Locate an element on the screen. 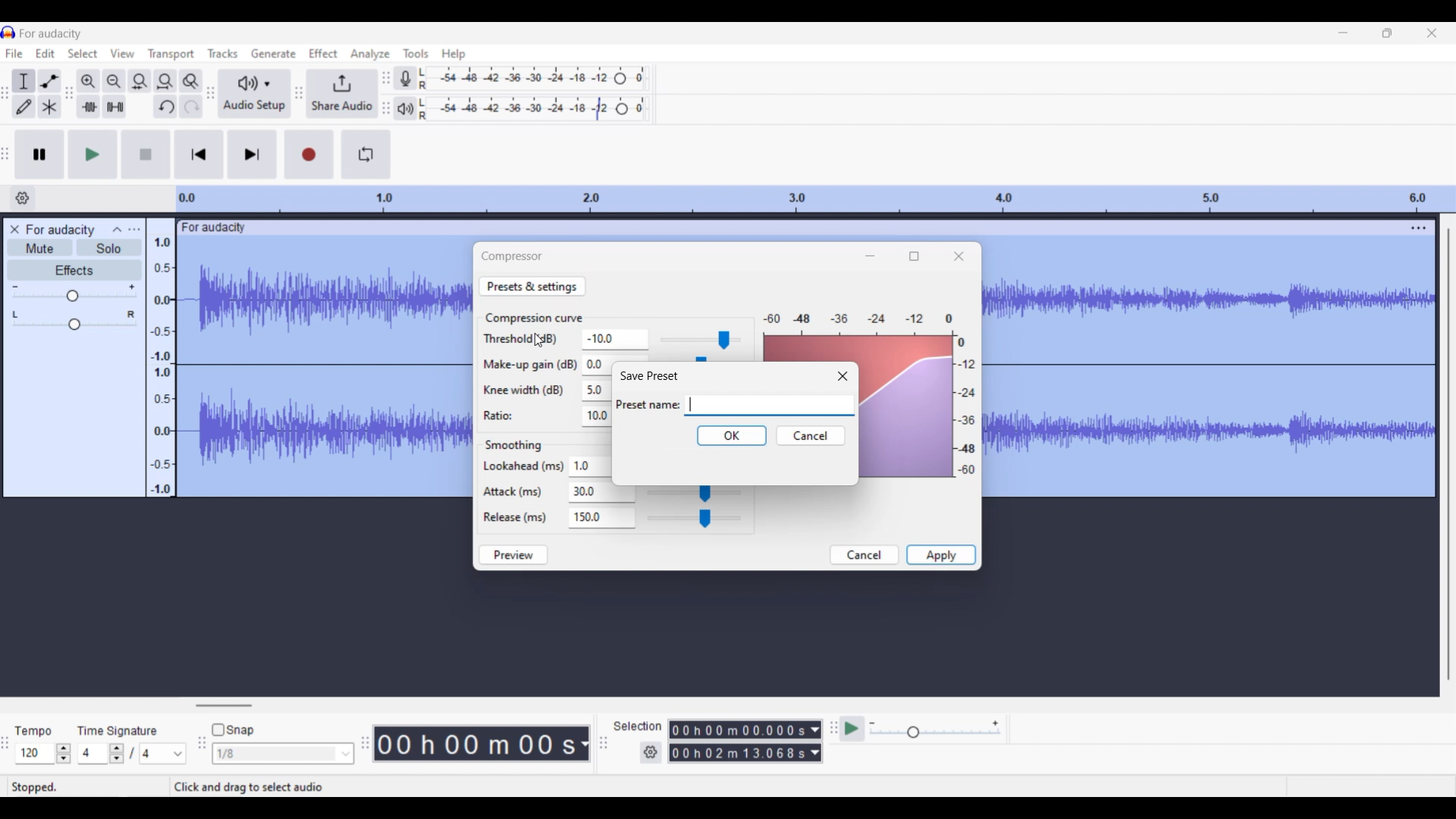 This screenshot has height=819, width=1456. Record meter is located at coordinates (405, 78).